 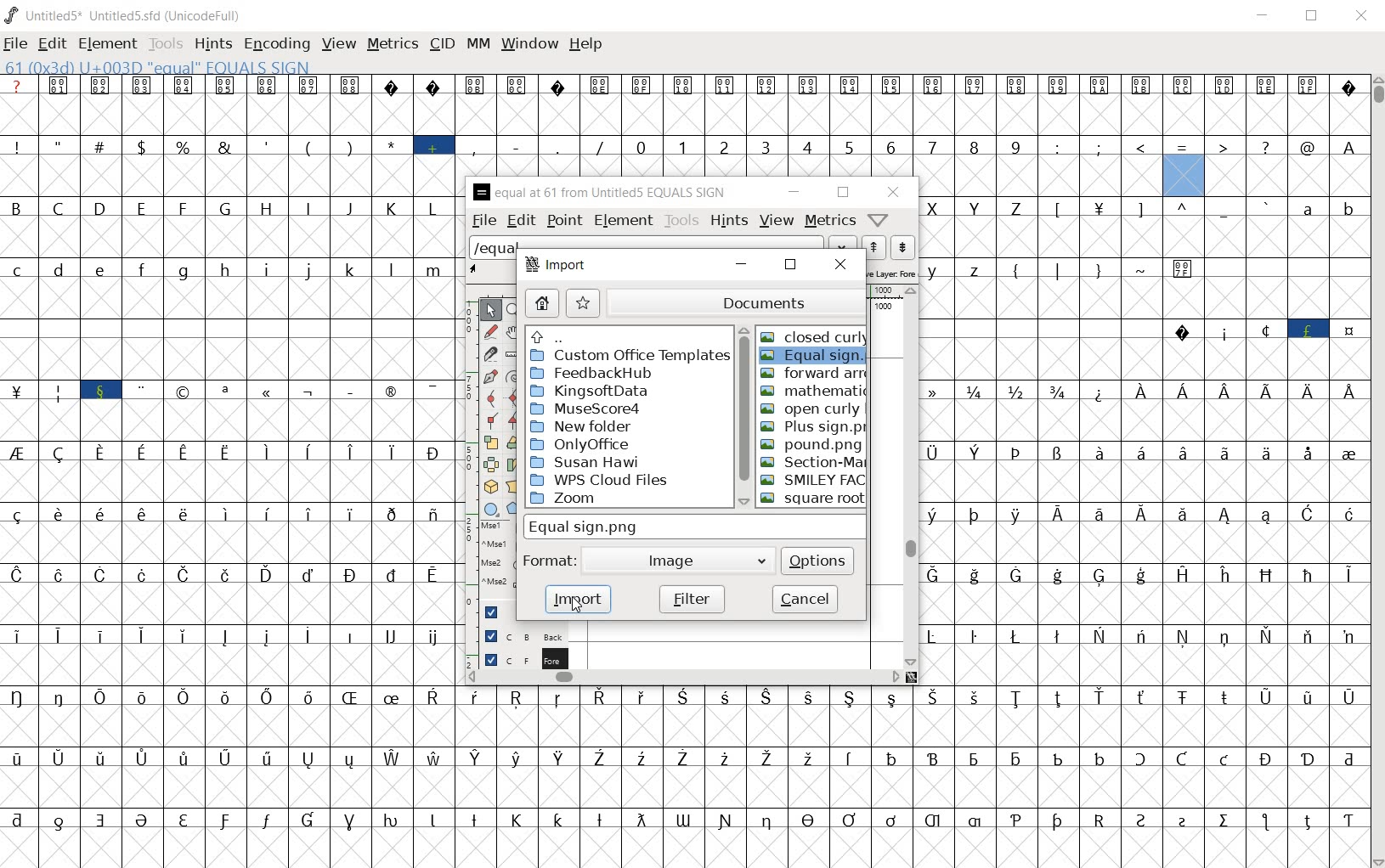 What do you see at coordinates (629, 335) in the screenshot?
I see `up directories` at bounding box center [629, 335].